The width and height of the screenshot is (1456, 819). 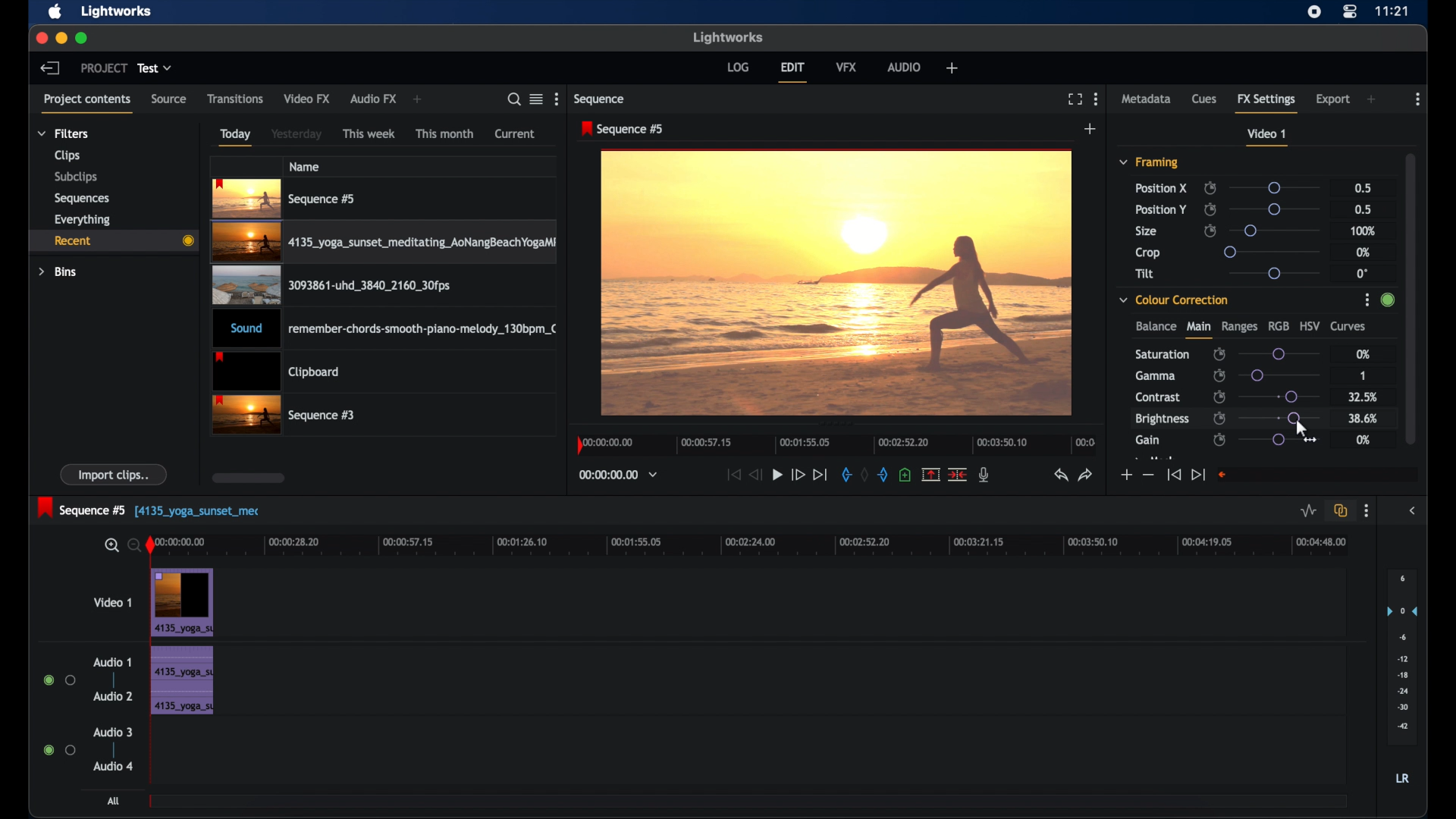 I want to click on undo, so click(x=1059, y=475).